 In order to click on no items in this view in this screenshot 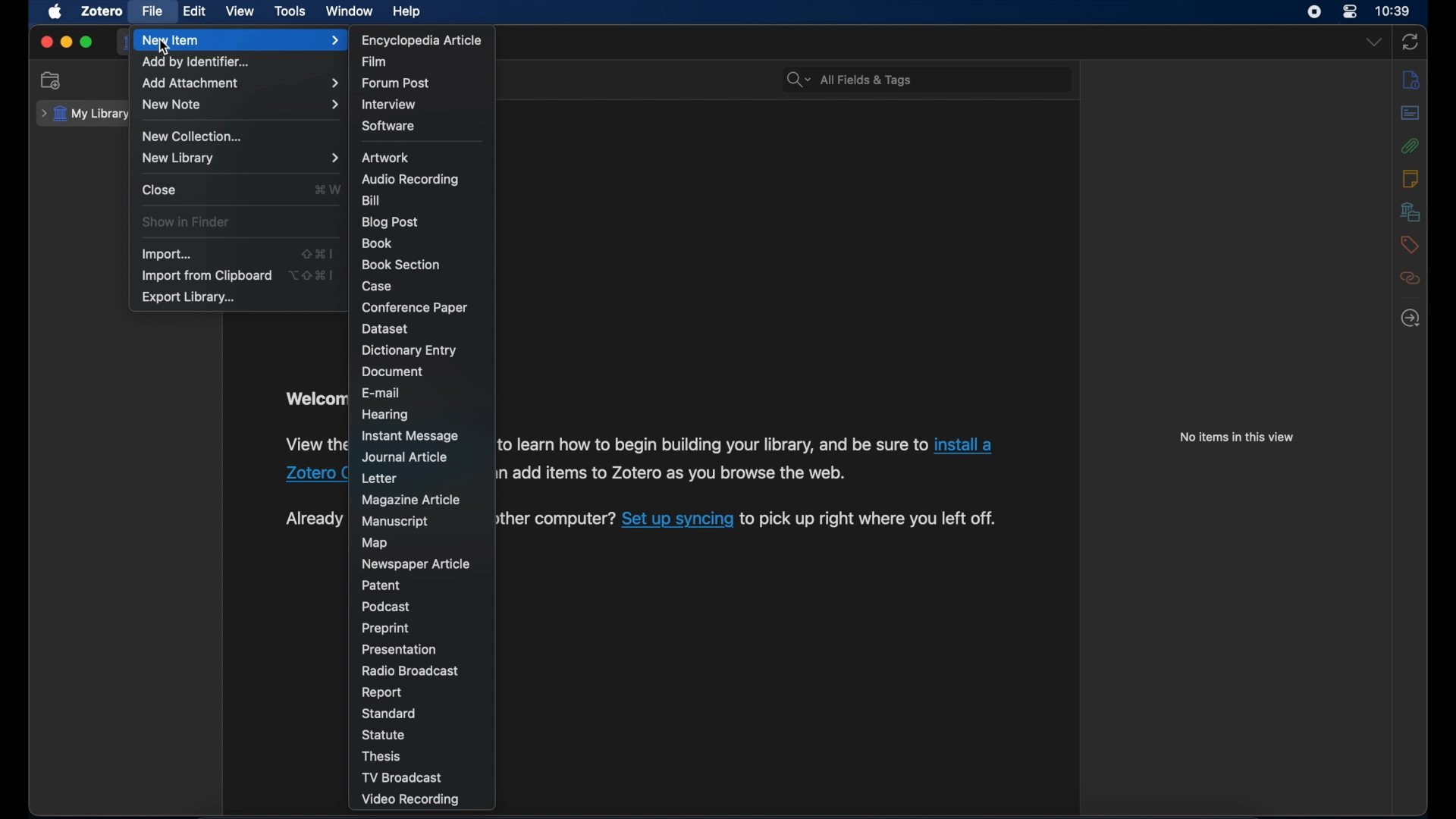, I will do `click(1237, 437)`.